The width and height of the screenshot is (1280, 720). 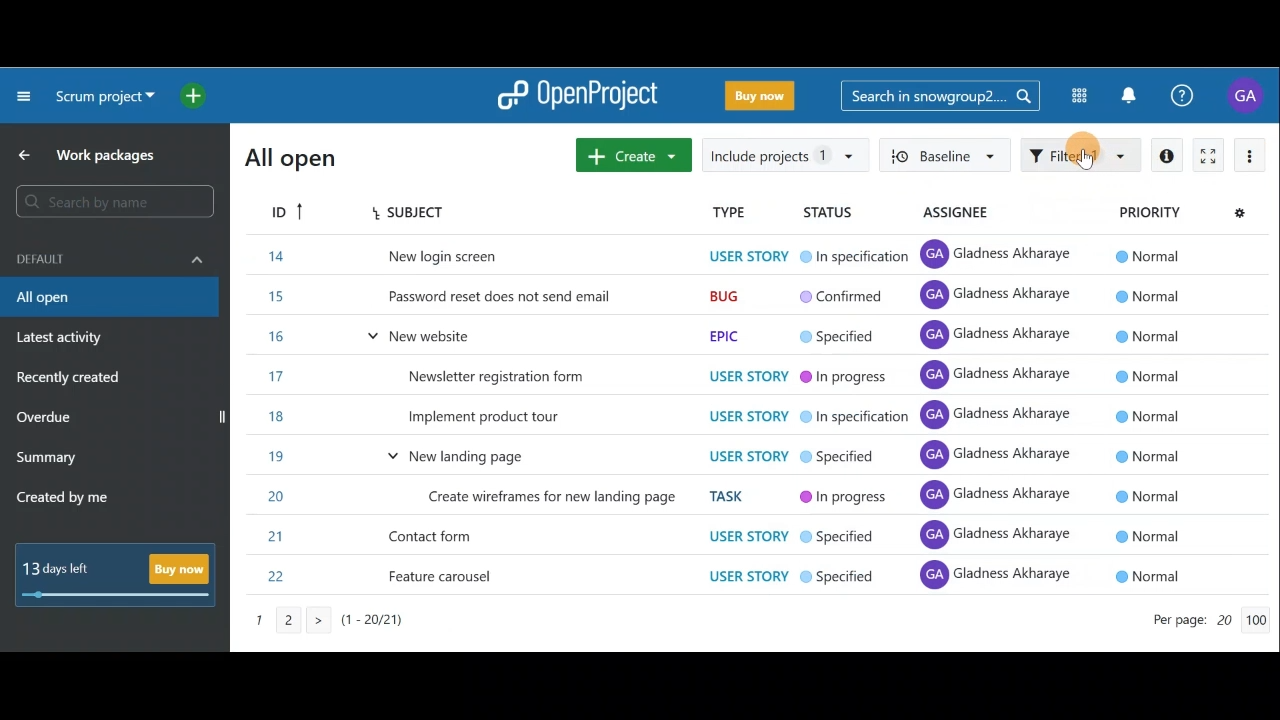 What do you see at coordinates (732, 370) in the screenshot?
I see `Item 4` at bounding box center [732, 370].